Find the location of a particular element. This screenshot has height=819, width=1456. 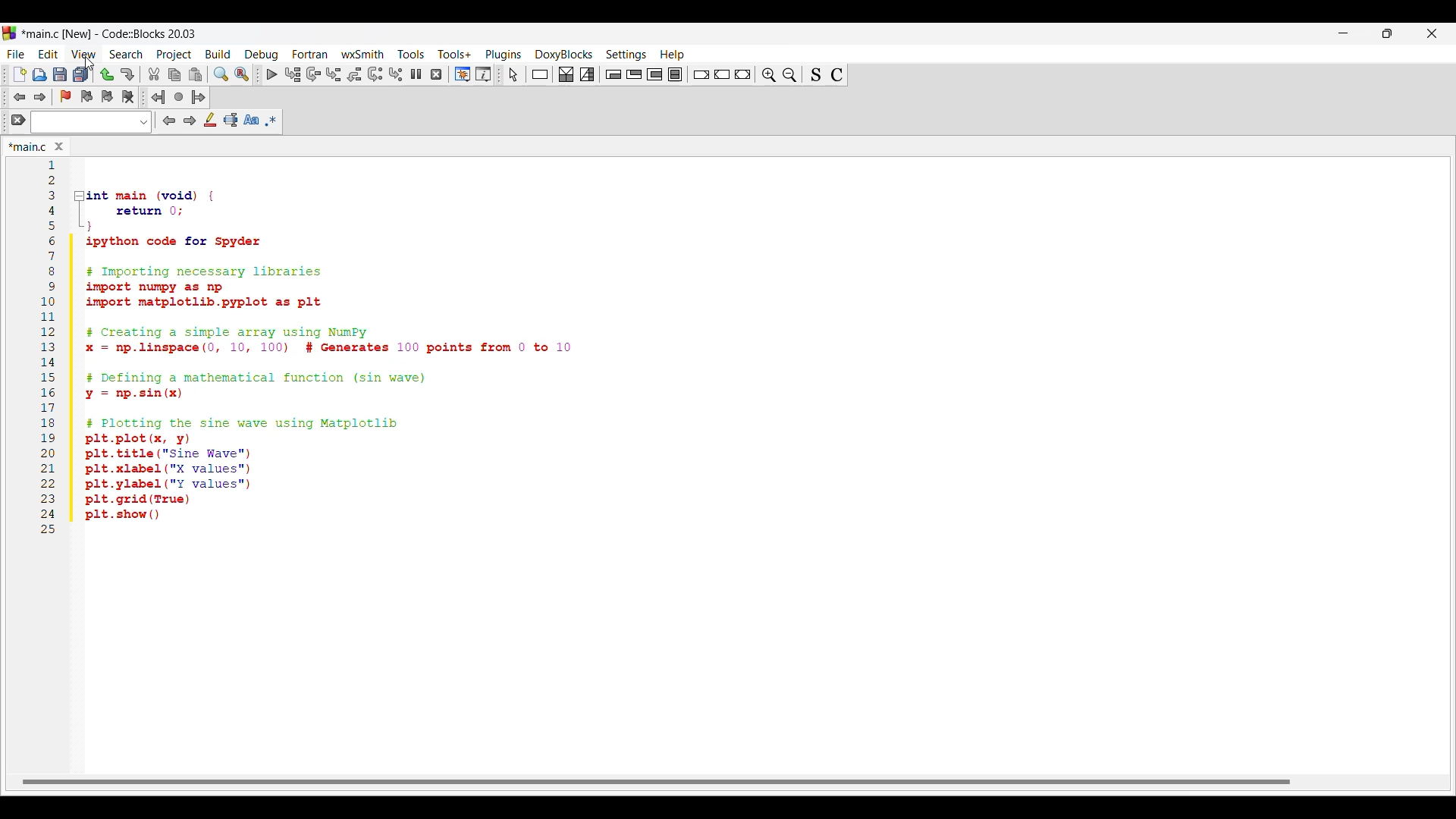

Next bookmark is located at coordinates (107, 97).